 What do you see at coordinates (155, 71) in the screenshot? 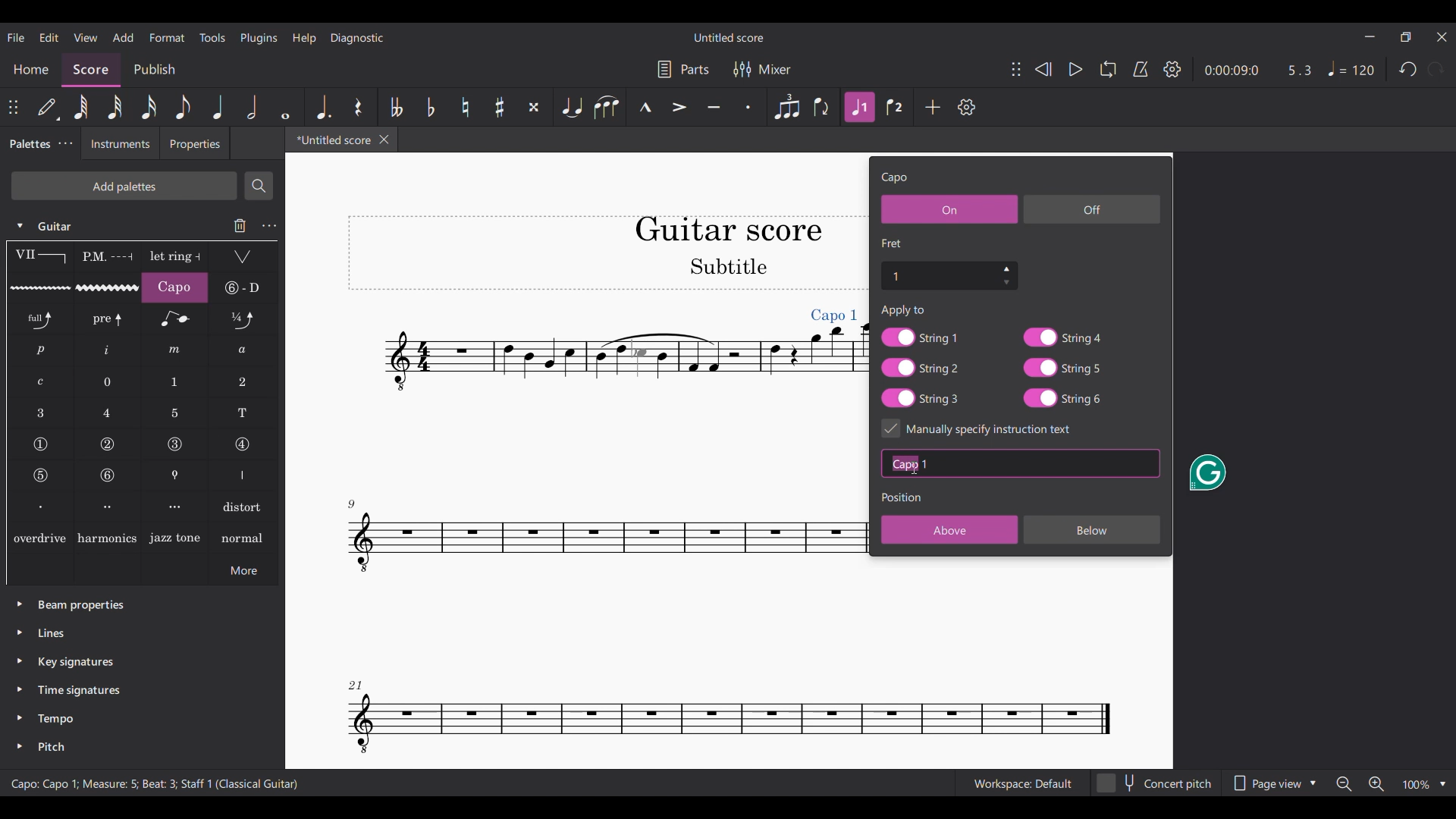
I see `Publish` at bounding box center [155, 71].